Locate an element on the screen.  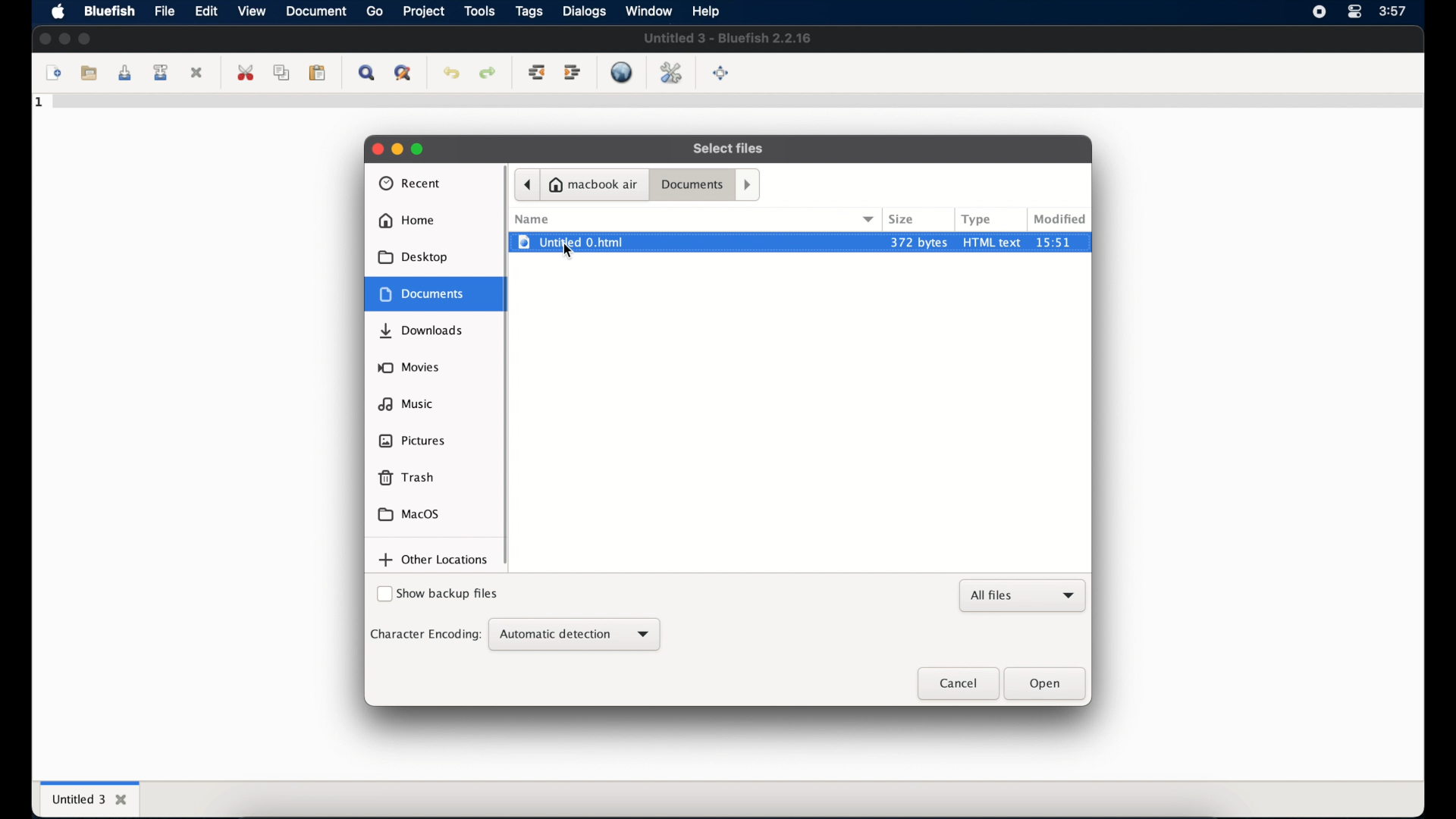
Untitled 0.html is located at coordinates (692, 242).